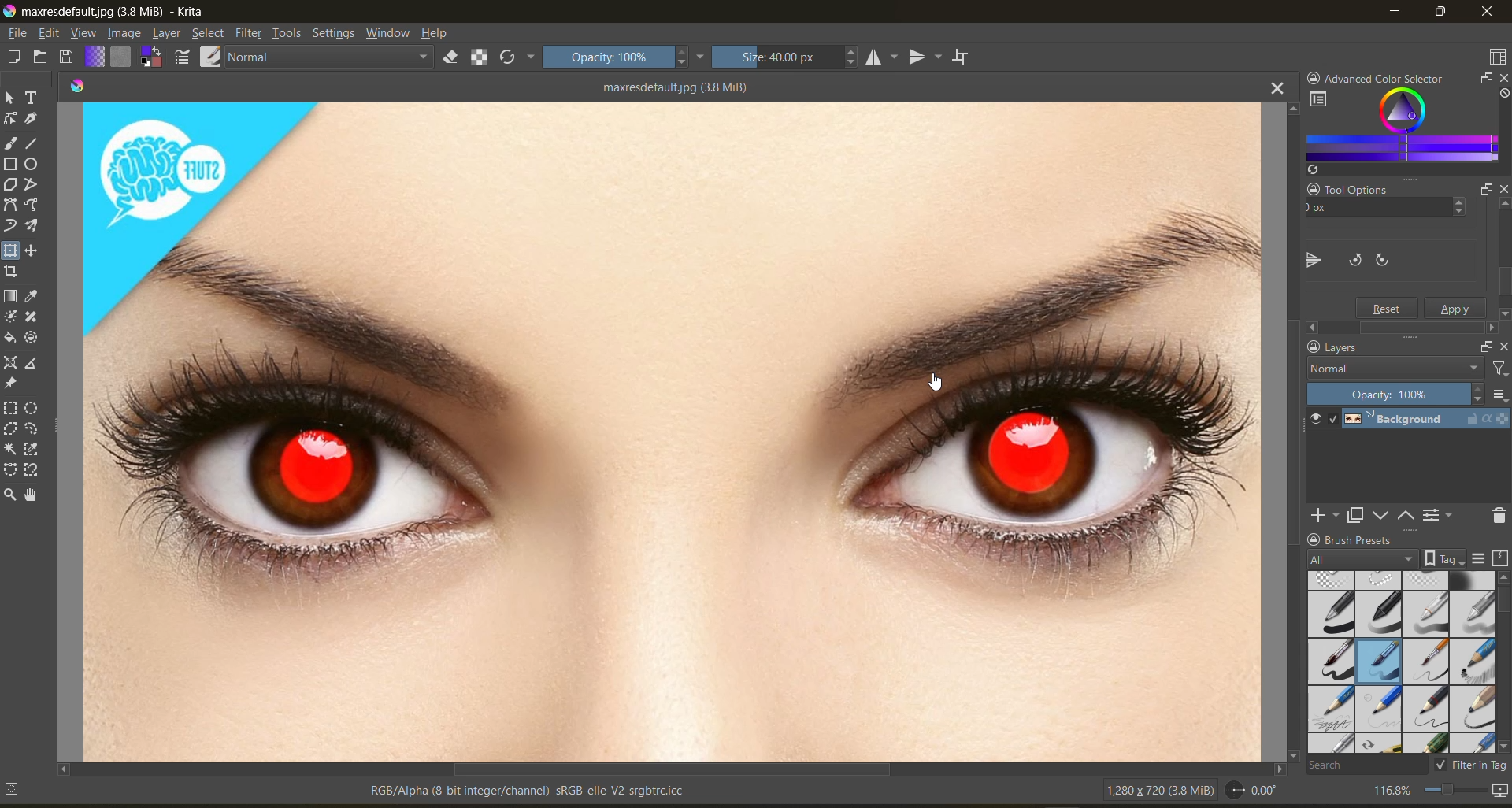 The height and width of the screenshot is (808, 1512). What do you see at coordinates (1440, 514) in the screenshot?
I see `view or change the layer properties` at bounding box center [1440, 514].